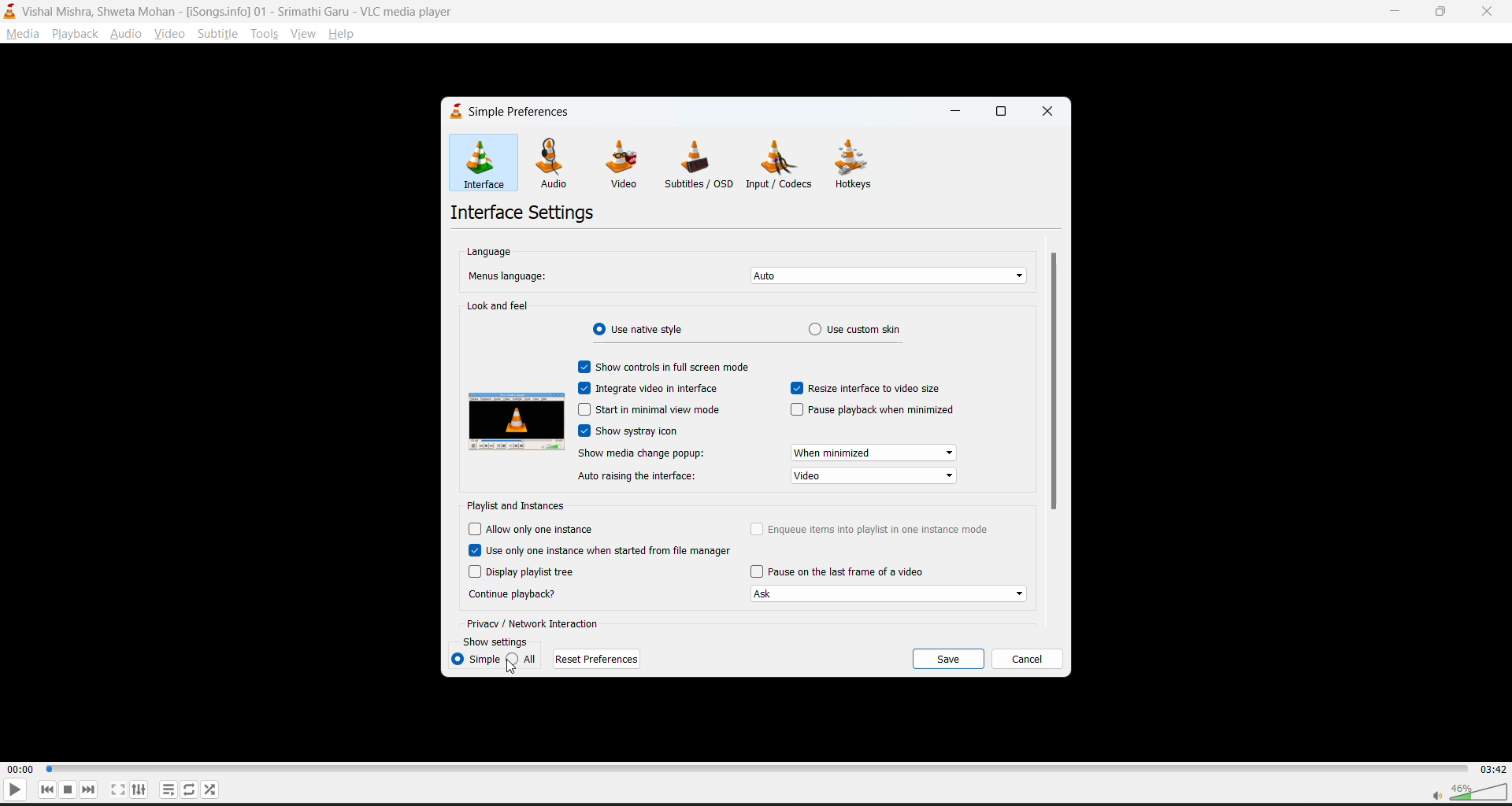 Image resolution: width=1512 pixels, height=806 pixels. What do you see at coordinates (652, 388) in the screenshot?
I see `integrate video in interface` at bounding box center [652, 388].